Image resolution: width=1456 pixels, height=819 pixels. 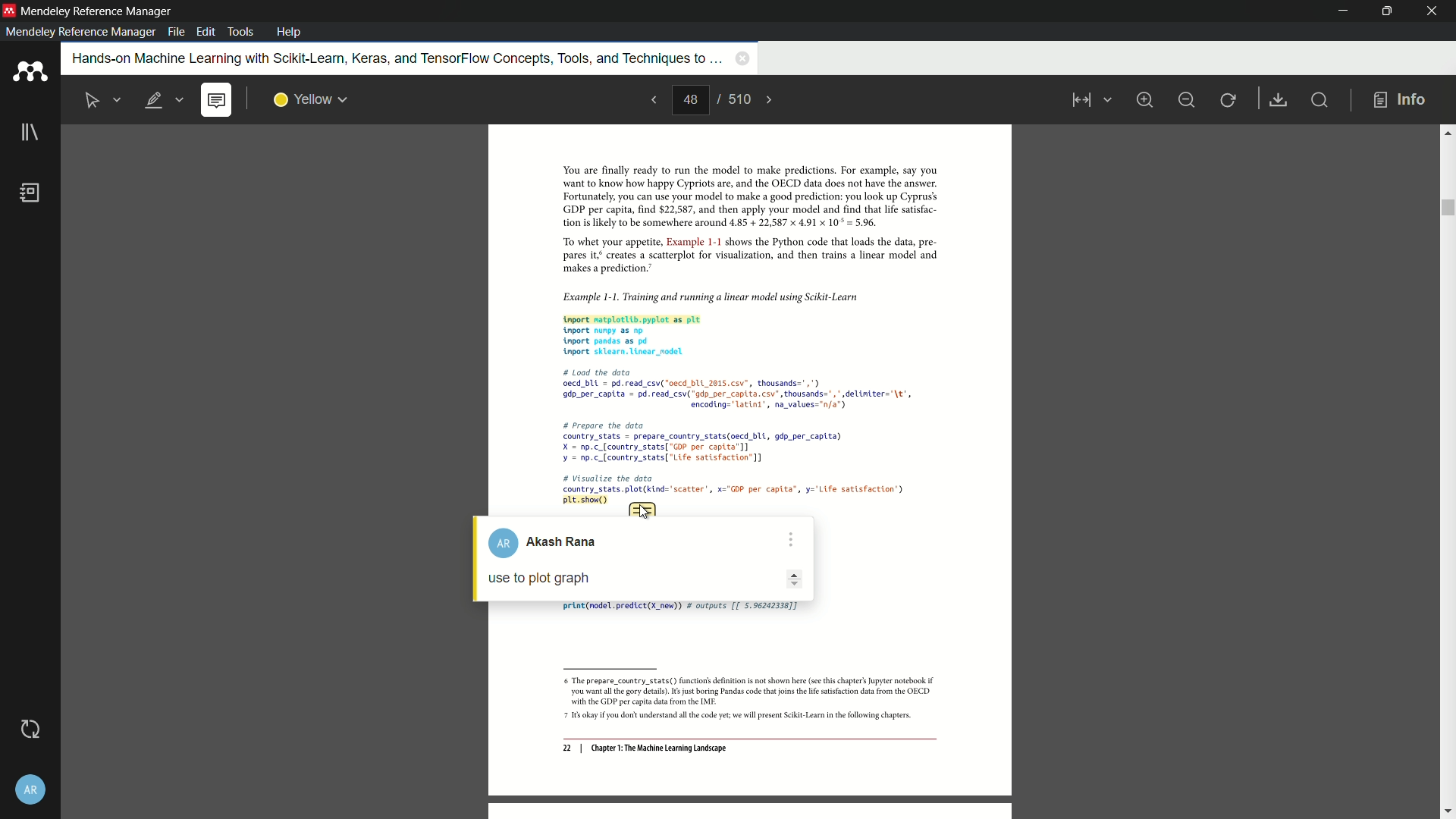 What do you see at coordinates (1229, 101) in the screenshot?
I see `rotate` at bounding box center [1229, 101].